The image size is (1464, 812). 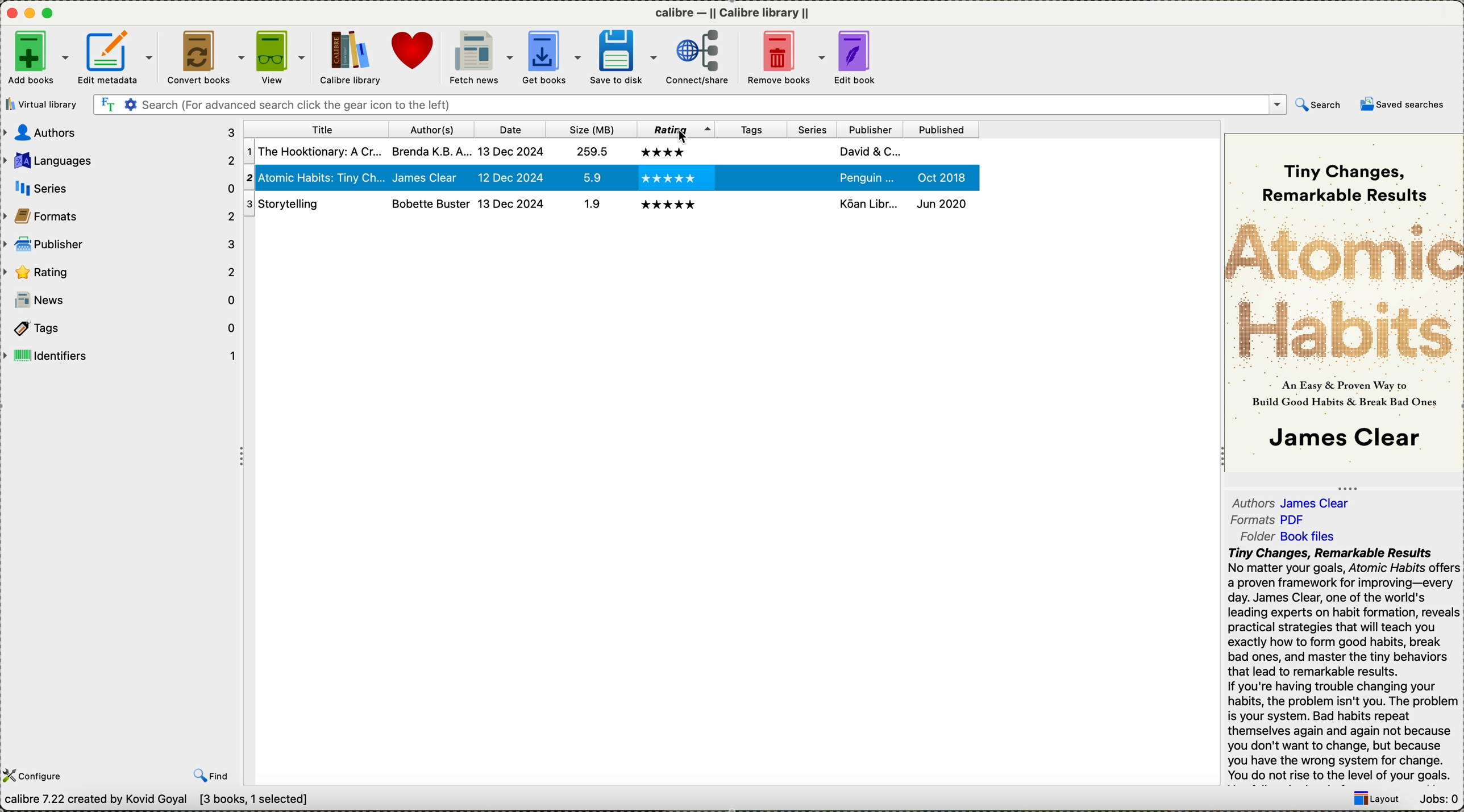 What do you see at coordinates (1346, 392) in the screenshot?
I see `An easy & Proven way to Build Good Habits & Break Bad Ones` at bounding box center [1346, 392].